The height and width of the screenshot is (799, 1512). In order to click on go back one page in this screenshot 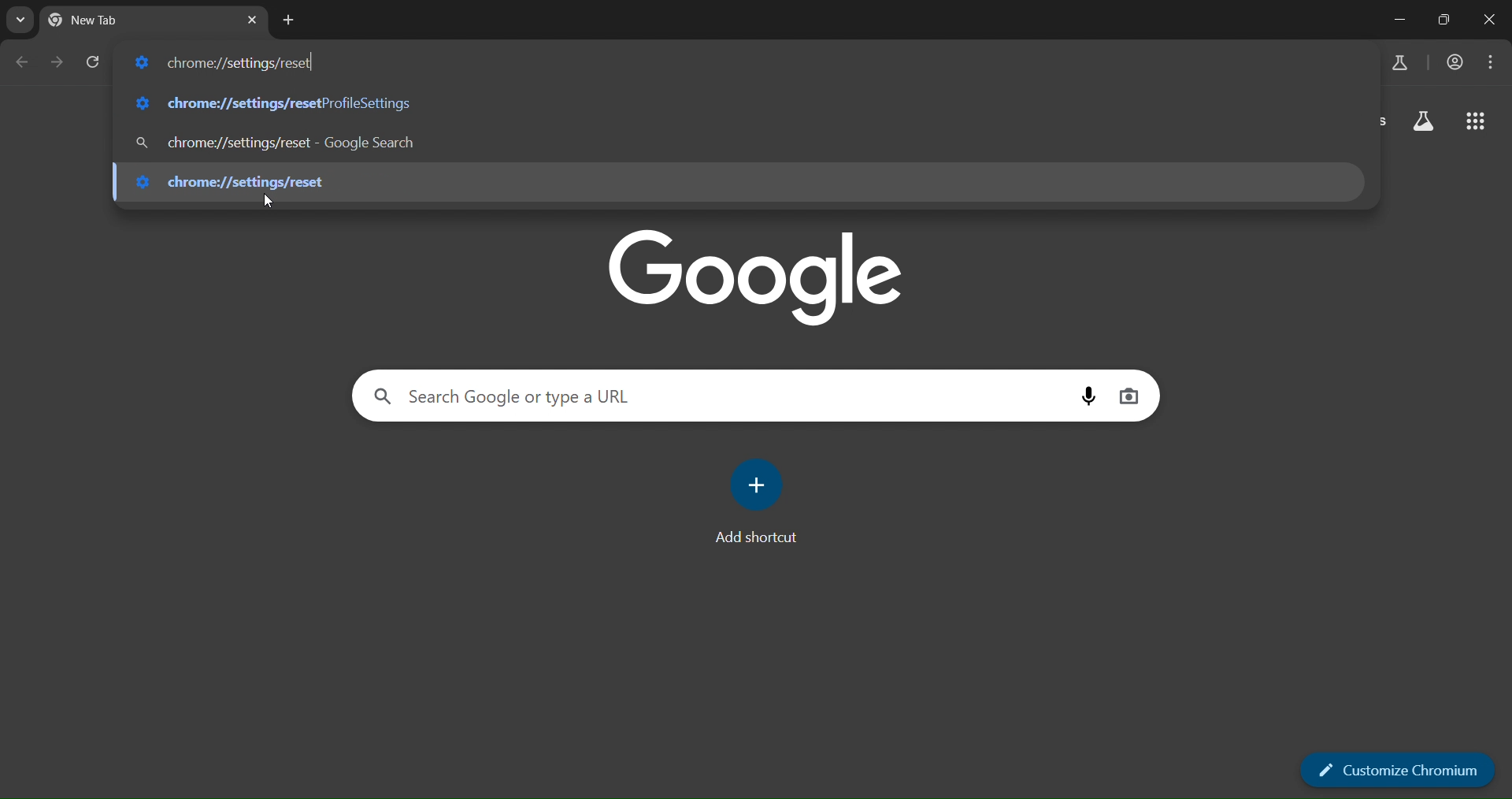, I will do `click(24, 61)`.